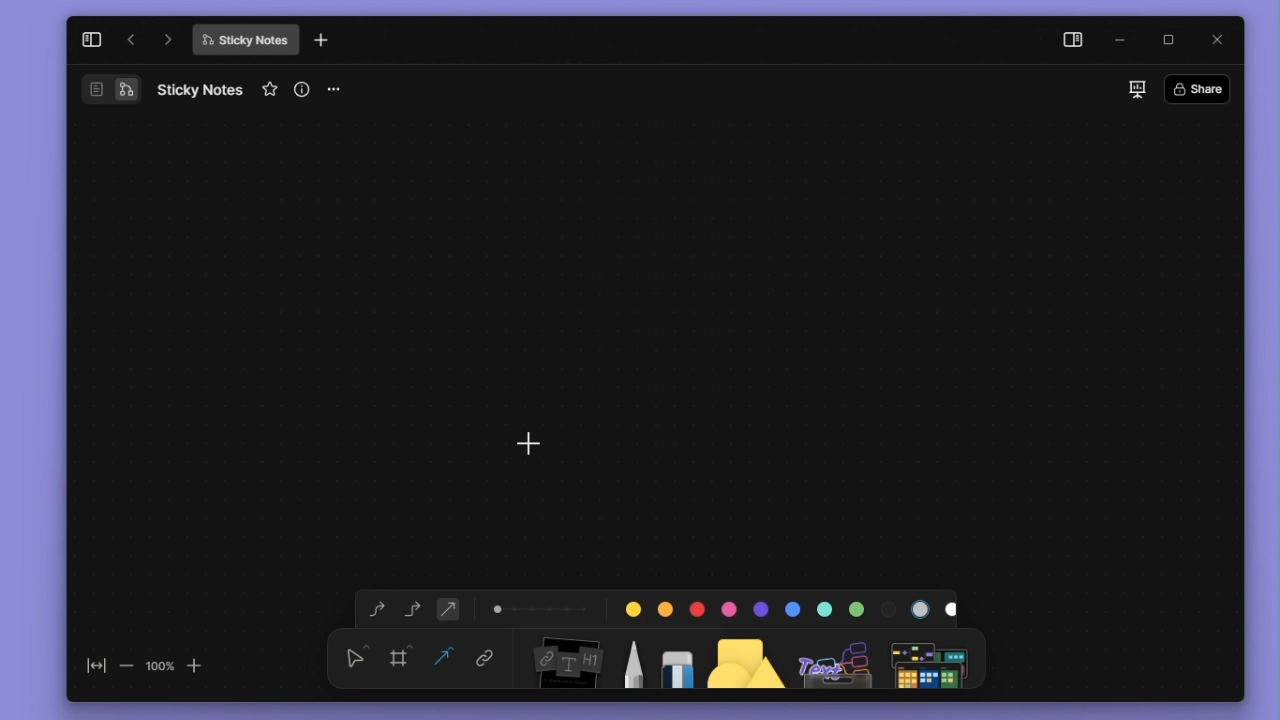 The image size is (1280, 720). What do you see at coordinates (448, 608) in the screenshot?
I see `straight` at bounding box center [448, 608].